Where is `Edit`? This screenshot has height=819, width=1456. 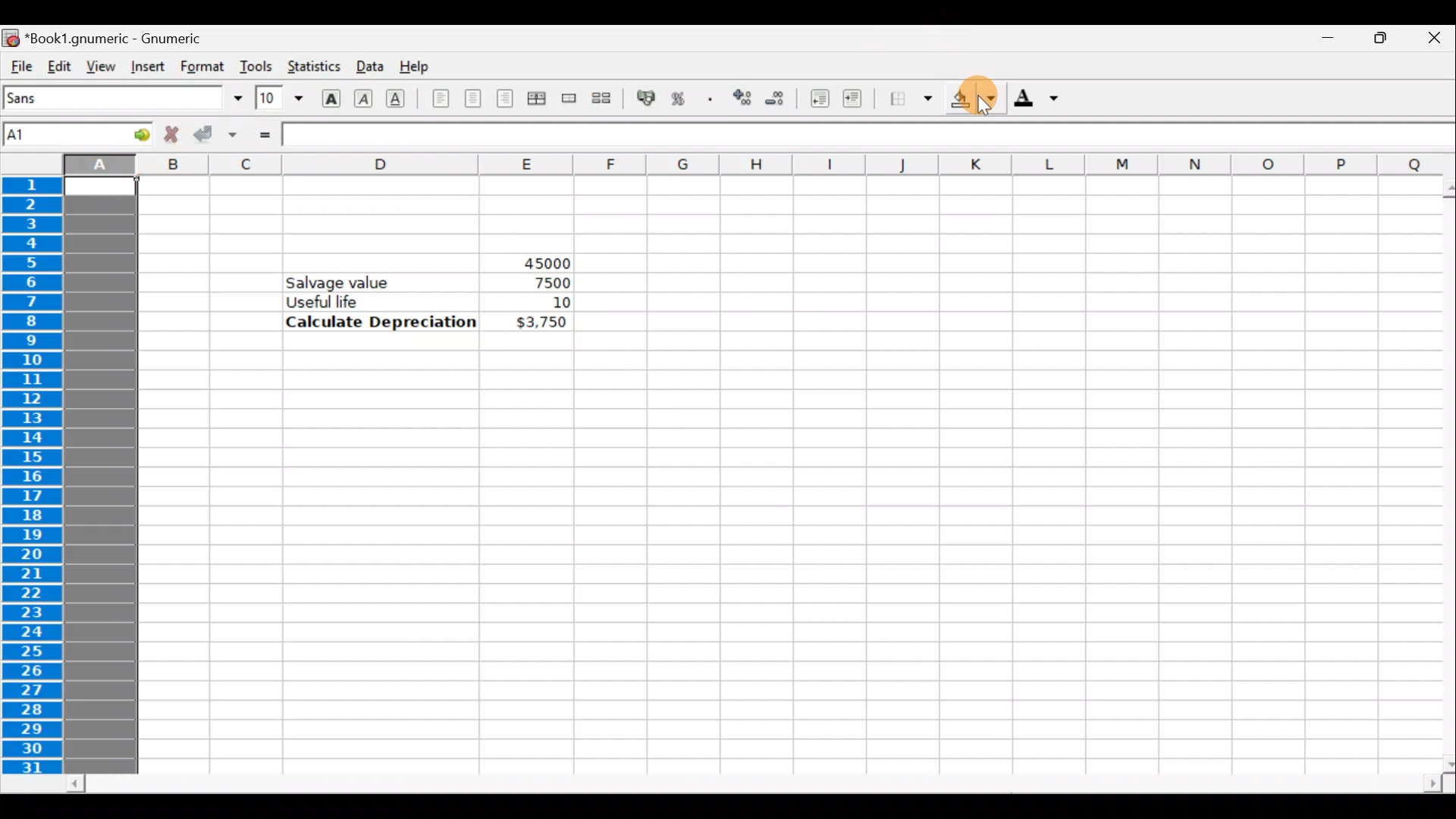
Edit is located at coordinates (59, 65).